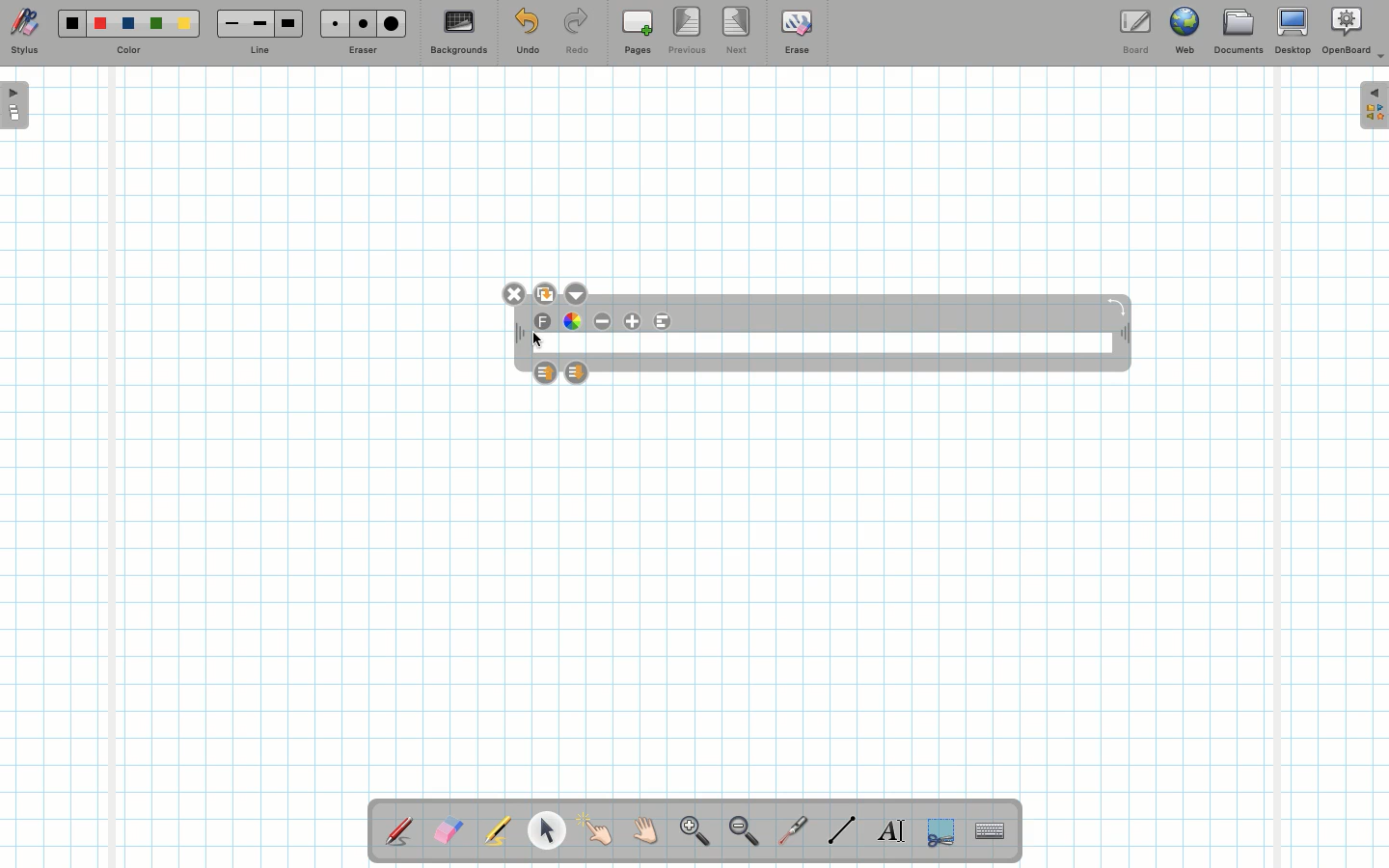 This screenshot has width=1389, height=868. Describe the element at coordinates (392, 23) in the screenshot. I see `Large eraser` at that location.